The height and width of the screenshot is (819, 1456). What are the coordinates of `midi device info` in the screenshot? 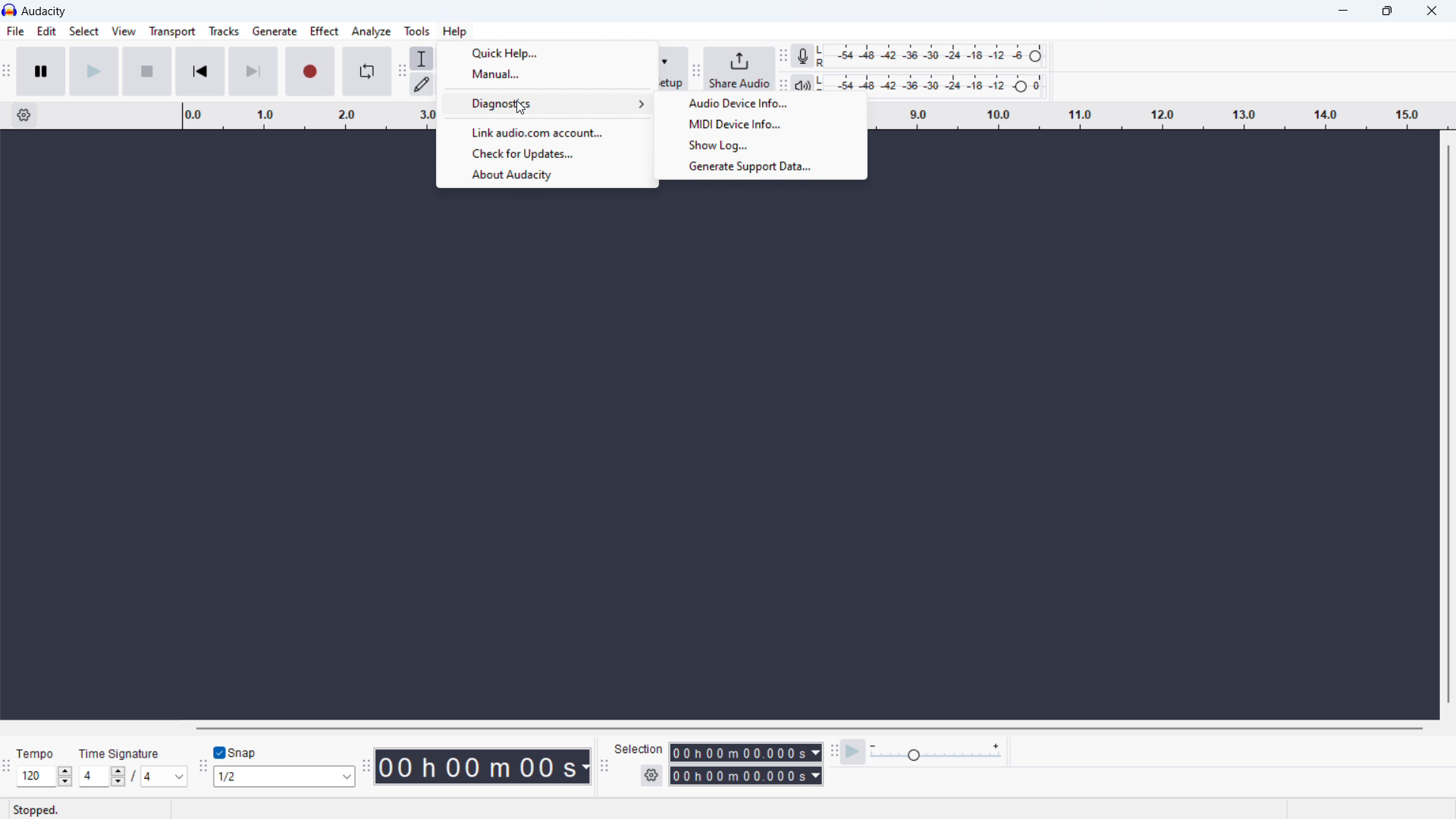 It's located at (761, 124).